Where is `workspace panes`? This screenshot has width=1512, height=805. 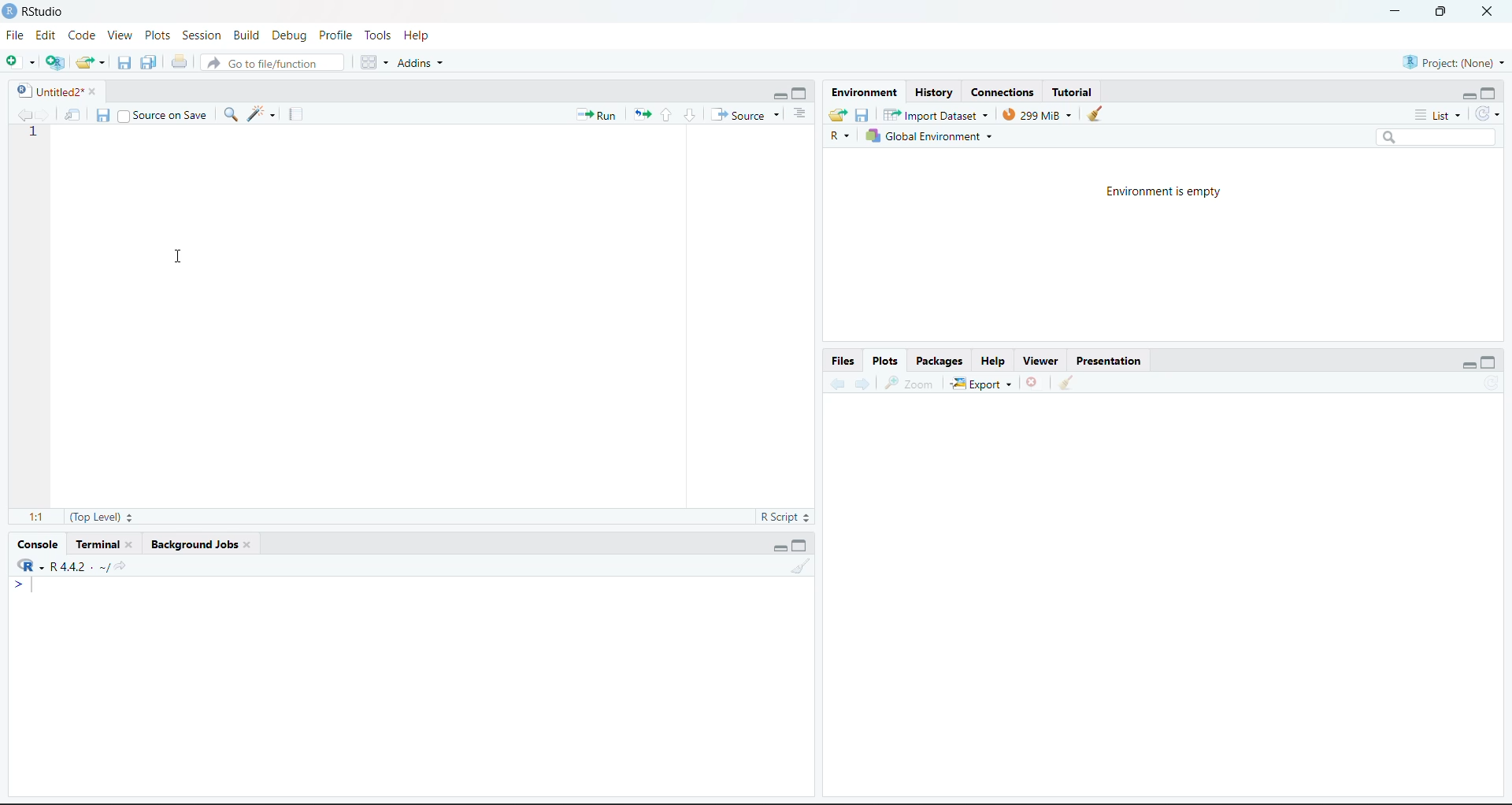
workspace panes is located at coordinates (372, 61).